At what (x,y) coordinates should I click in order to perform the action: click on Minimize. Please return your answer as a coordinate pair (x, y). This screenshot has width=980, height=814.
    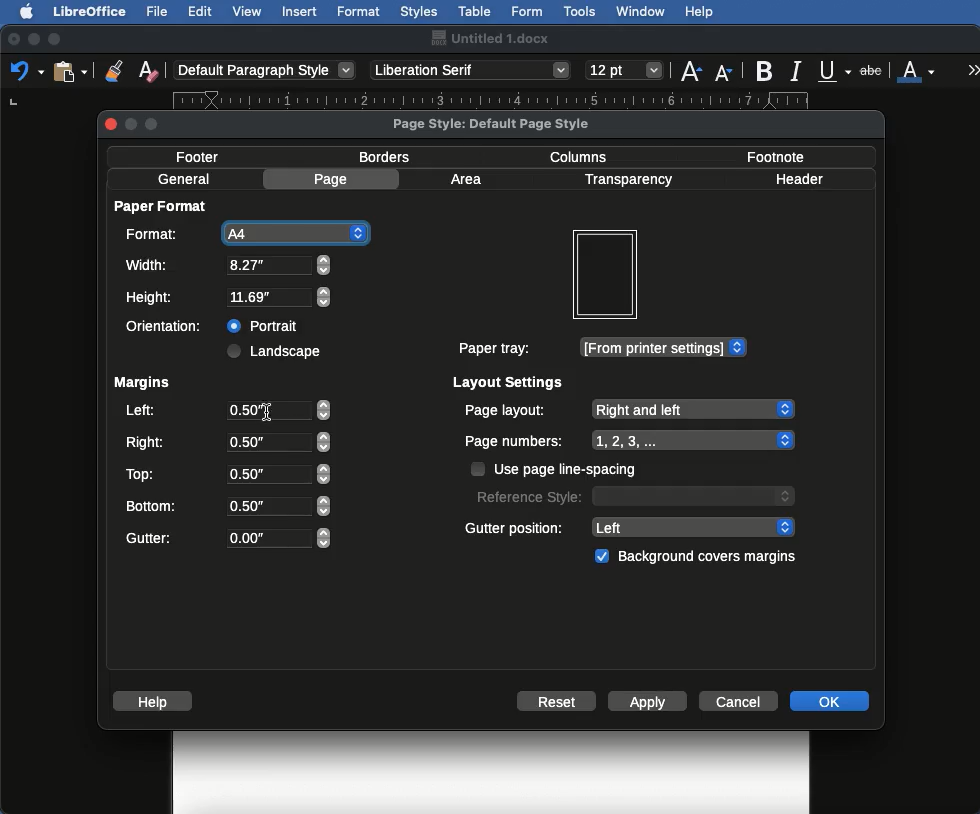
    Looking at the image, I should click on (33, 39).